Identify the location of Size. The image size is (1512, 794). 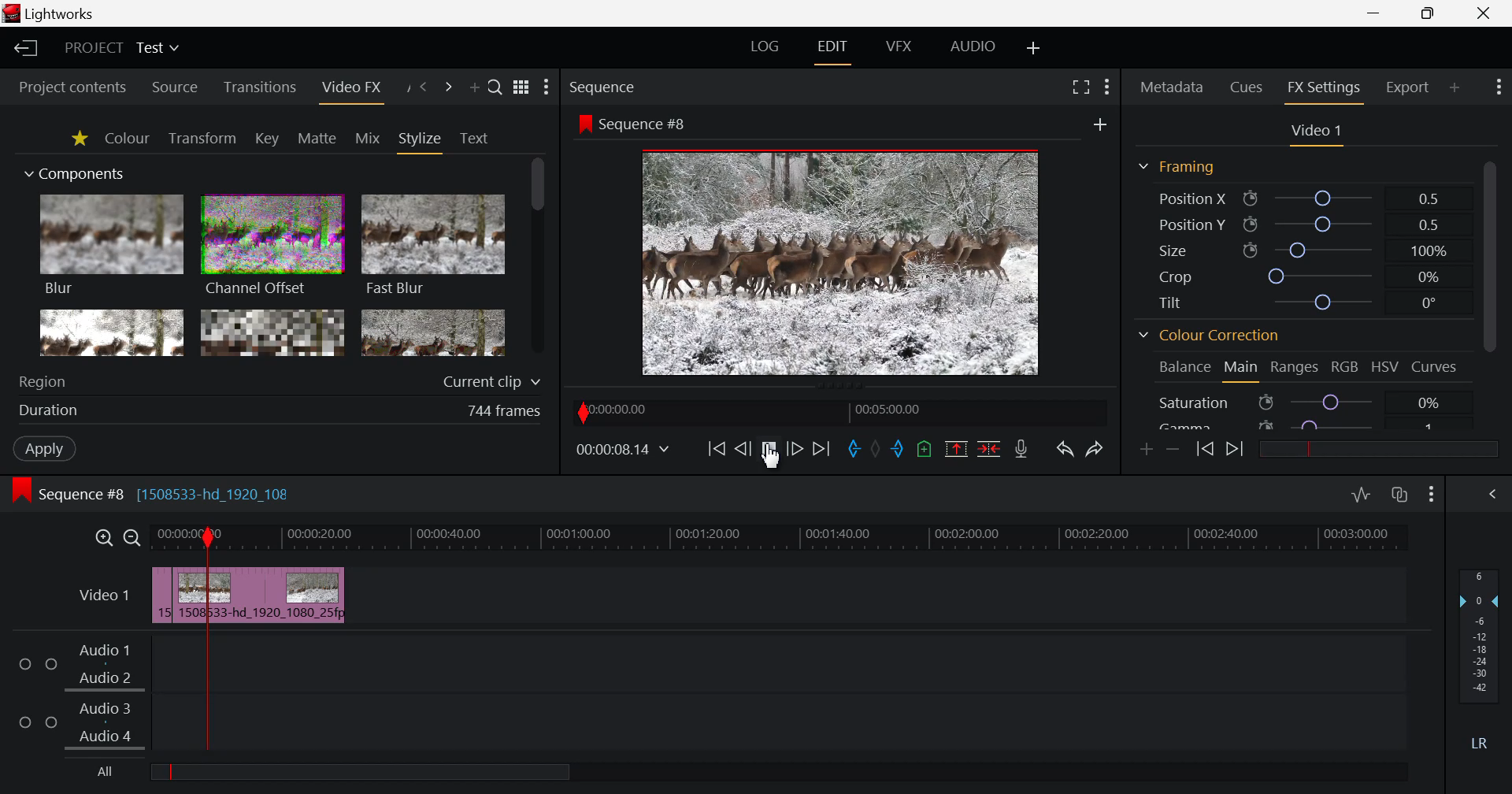
(1299, 250).